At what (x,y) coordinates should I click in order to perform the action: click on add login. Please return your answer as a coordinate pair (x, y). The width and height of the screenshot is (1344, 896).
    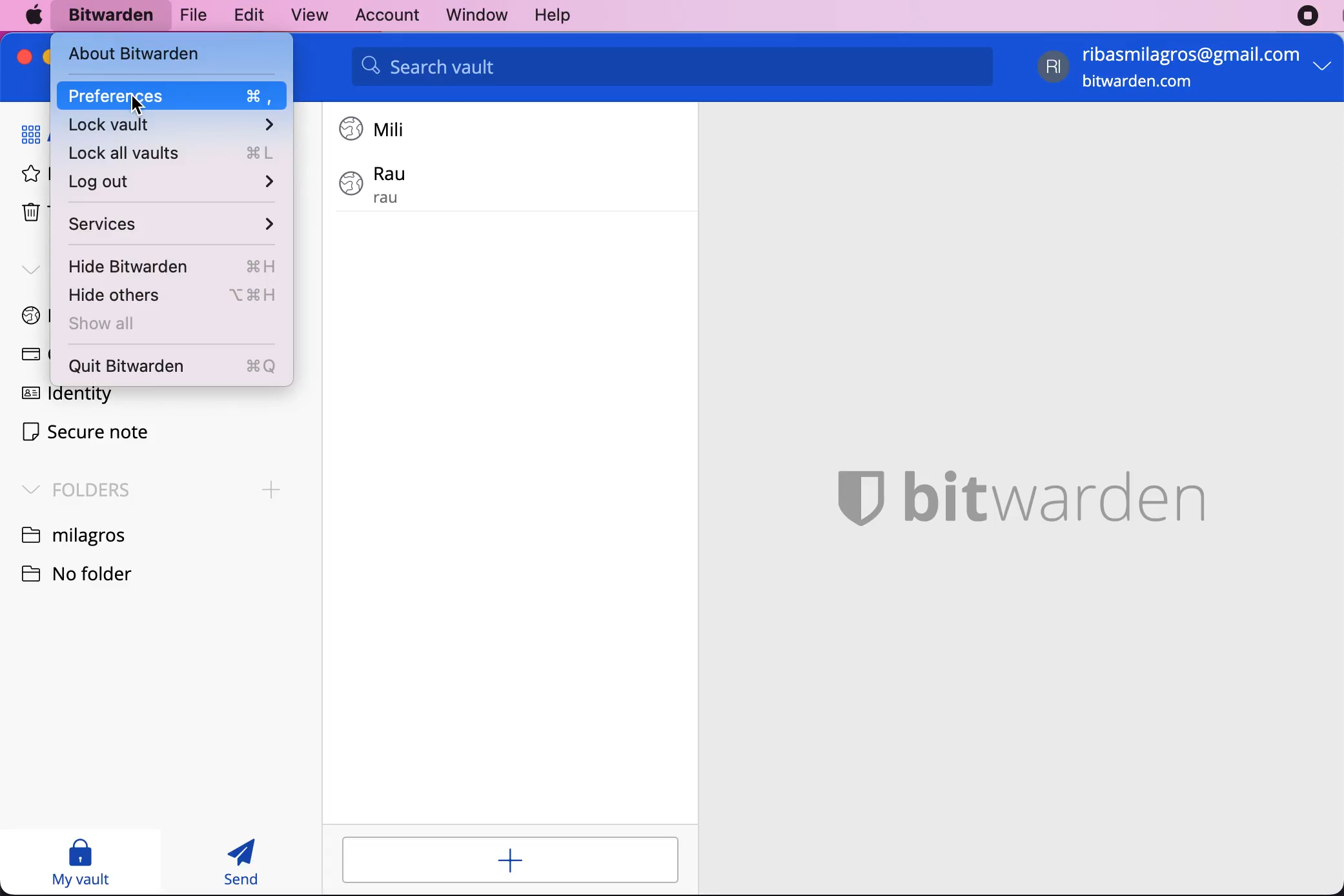
    Looking at the image, I should click on (511, 860).